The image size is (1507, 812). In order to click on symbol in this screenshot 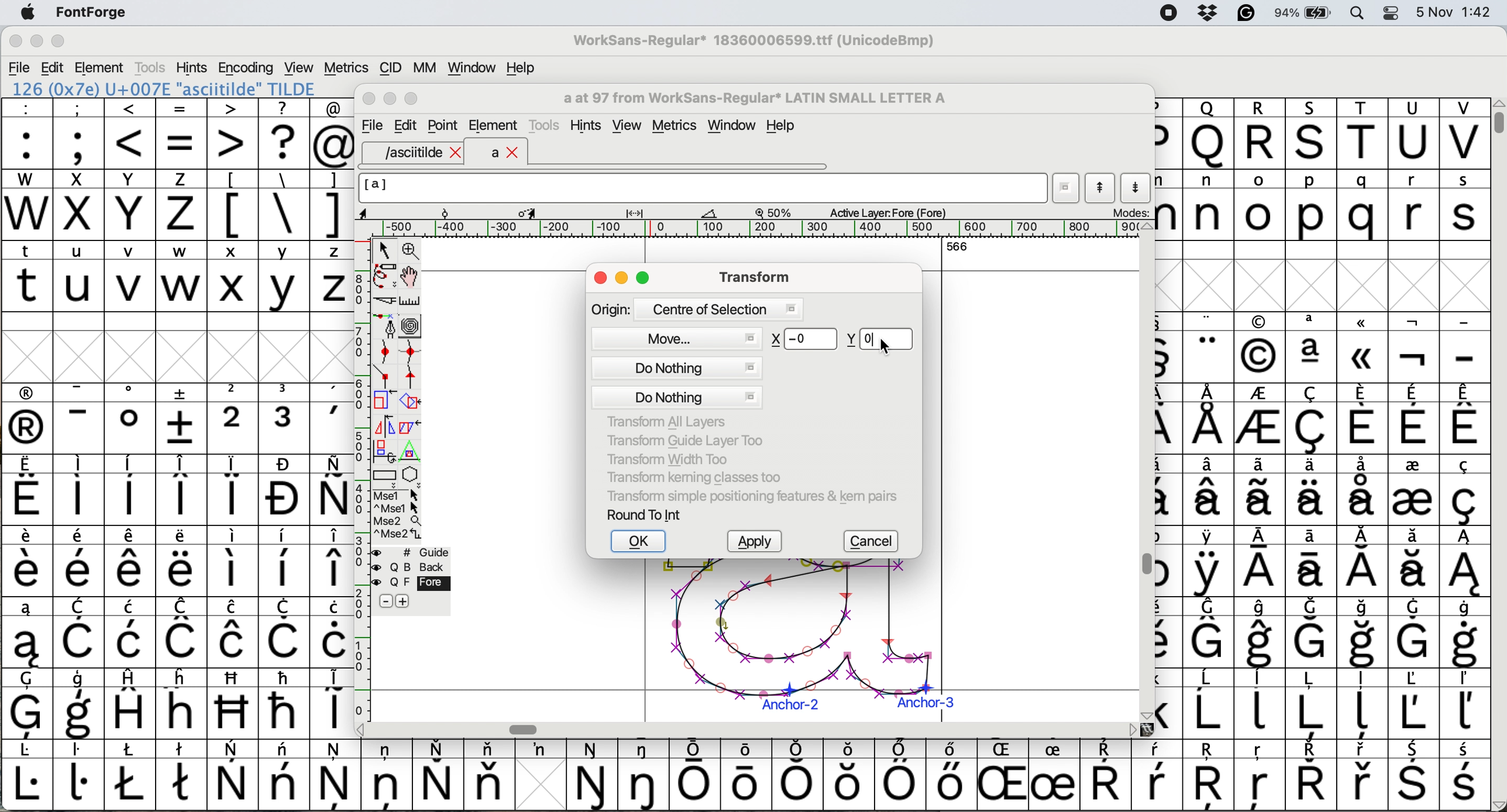, I will do `click(800, 774)`.